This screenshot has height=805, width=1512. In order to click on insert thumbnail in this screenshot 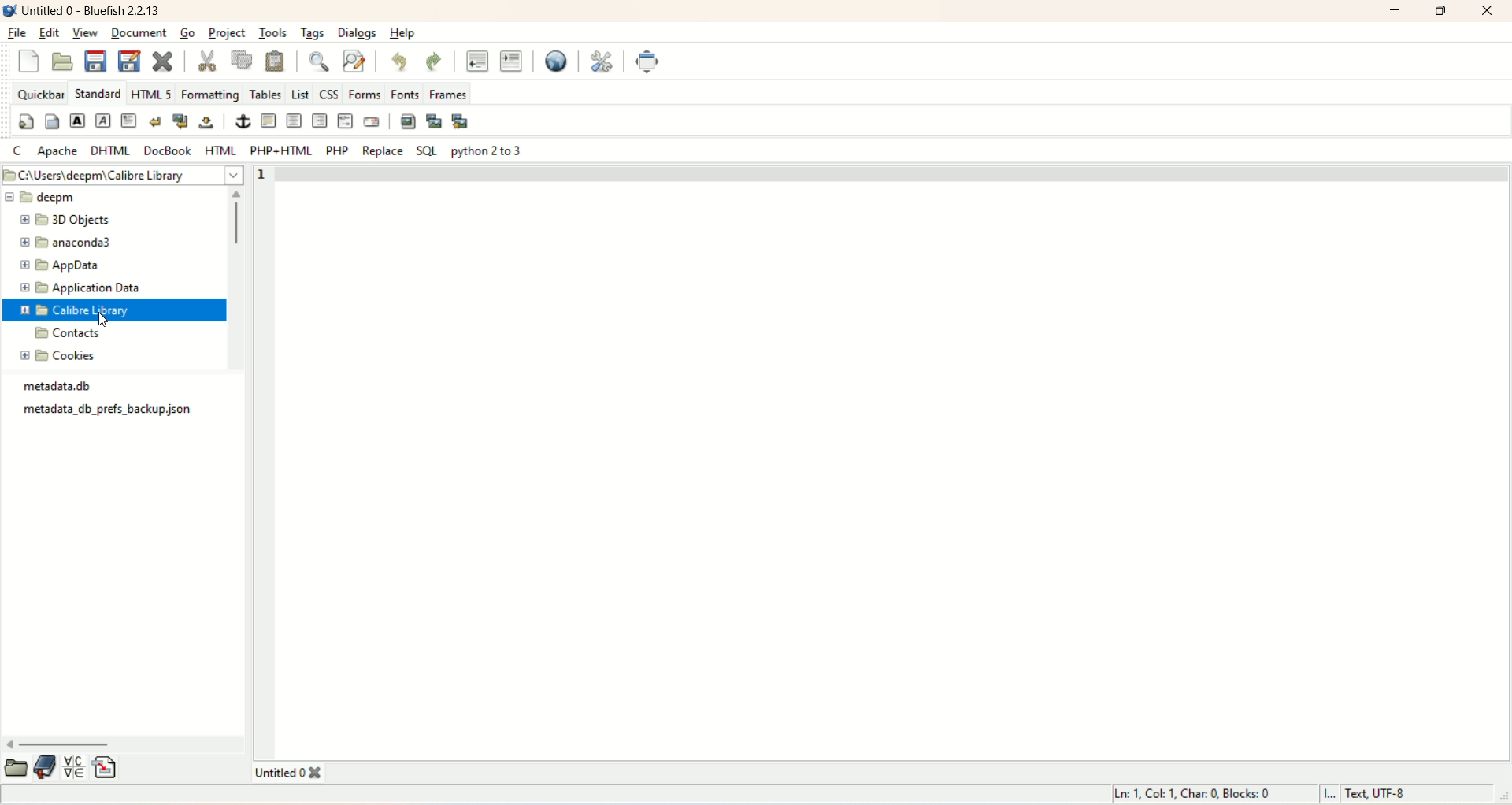, I will do `click(432, 121)`.